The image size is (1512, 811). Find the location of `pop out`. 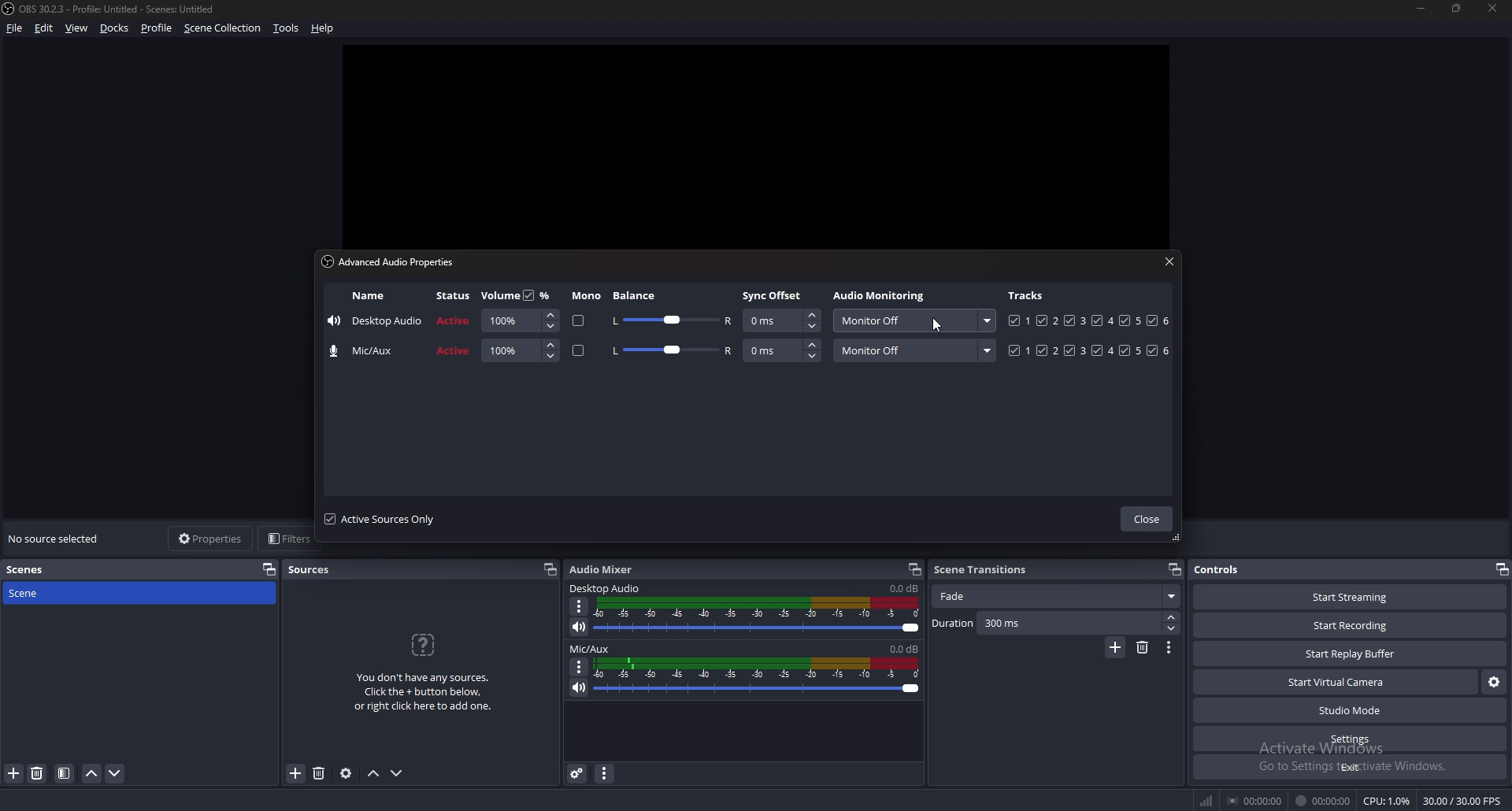

pop out is located at coordinates (1502, 570).